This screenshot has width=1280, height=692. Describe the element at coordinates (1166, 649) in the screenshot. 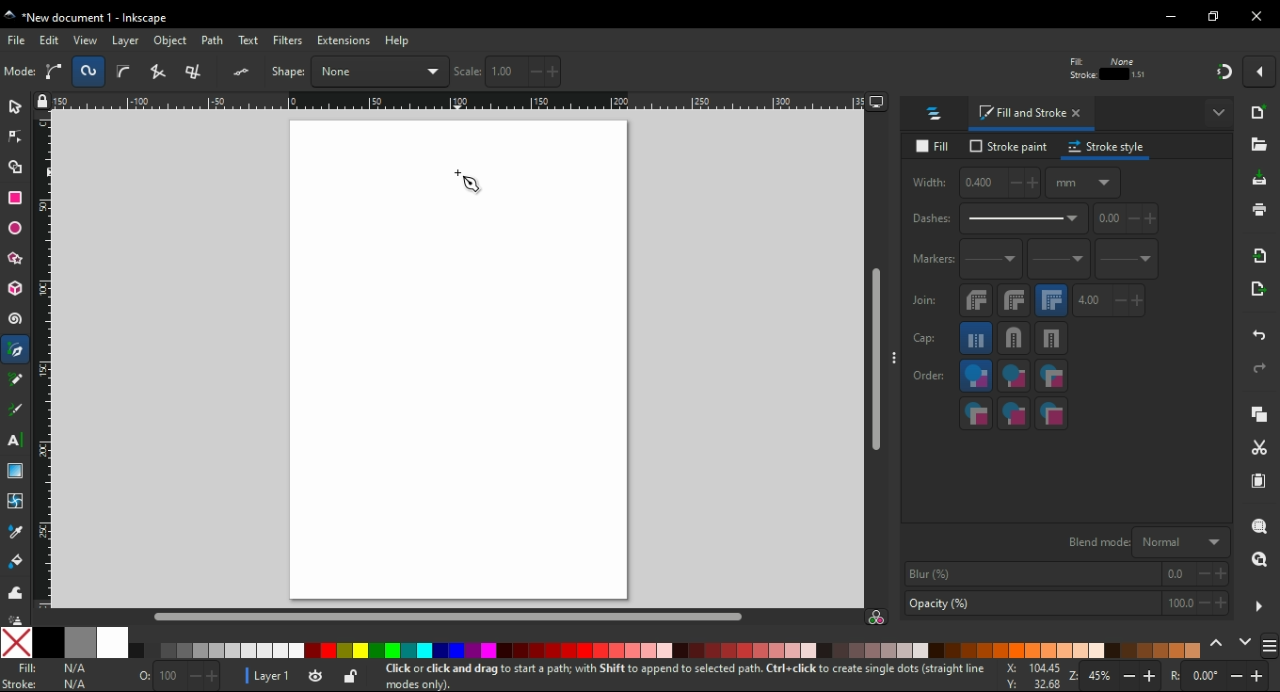

I see `color tone pallete` at that location.